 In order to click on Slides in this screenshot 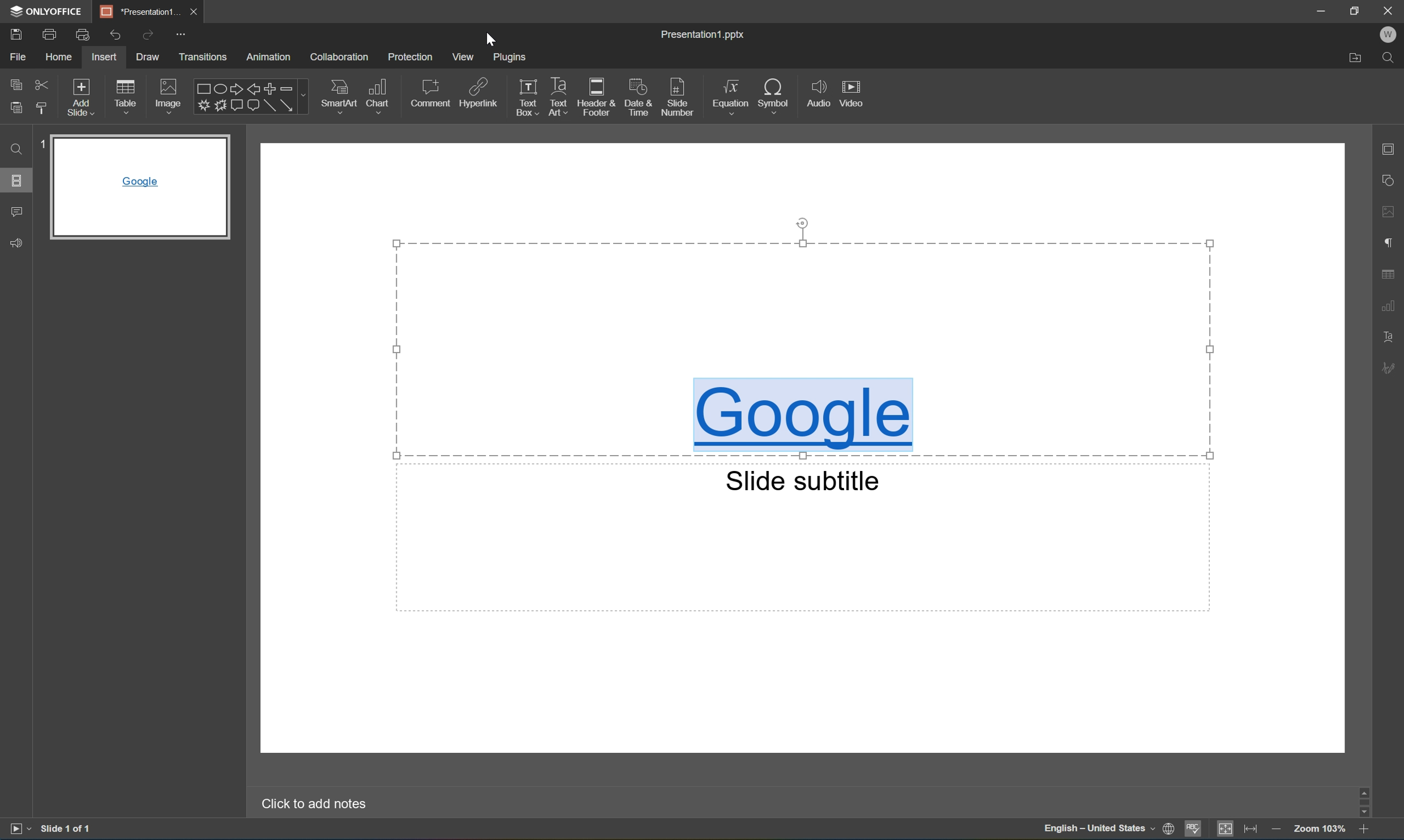, I will do `click(16, 179)`.